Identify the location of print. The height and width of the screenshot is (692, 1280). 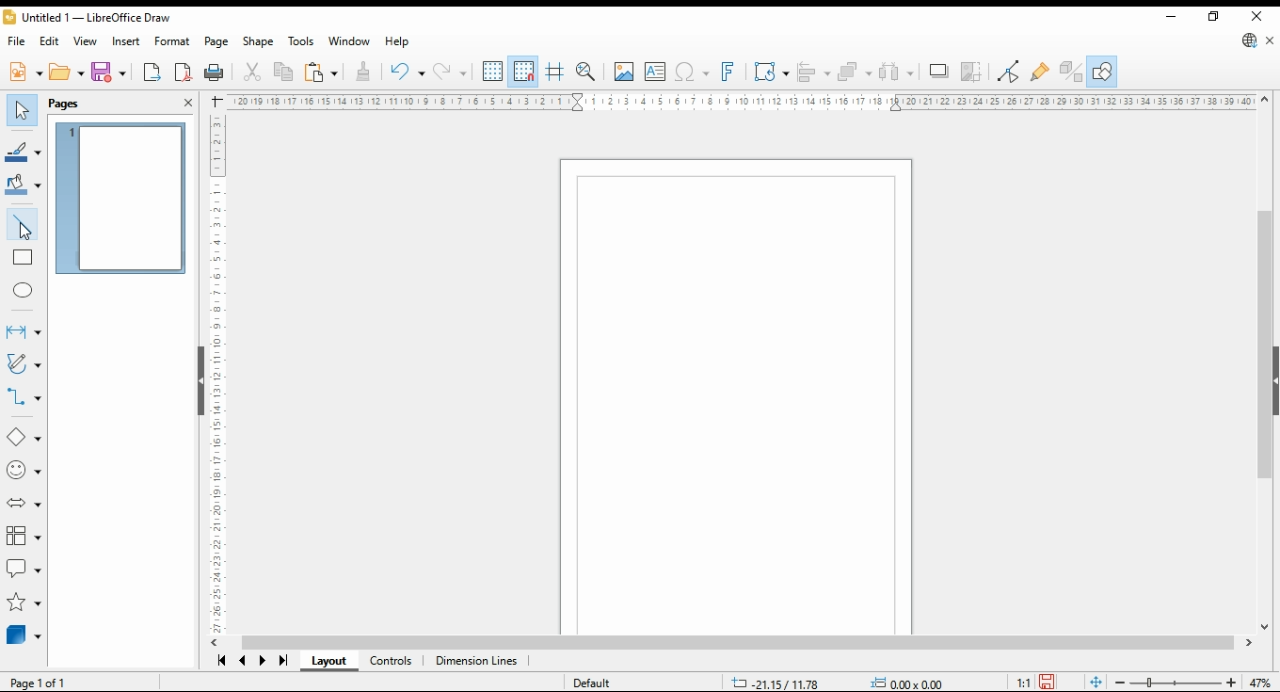
(215, 71).